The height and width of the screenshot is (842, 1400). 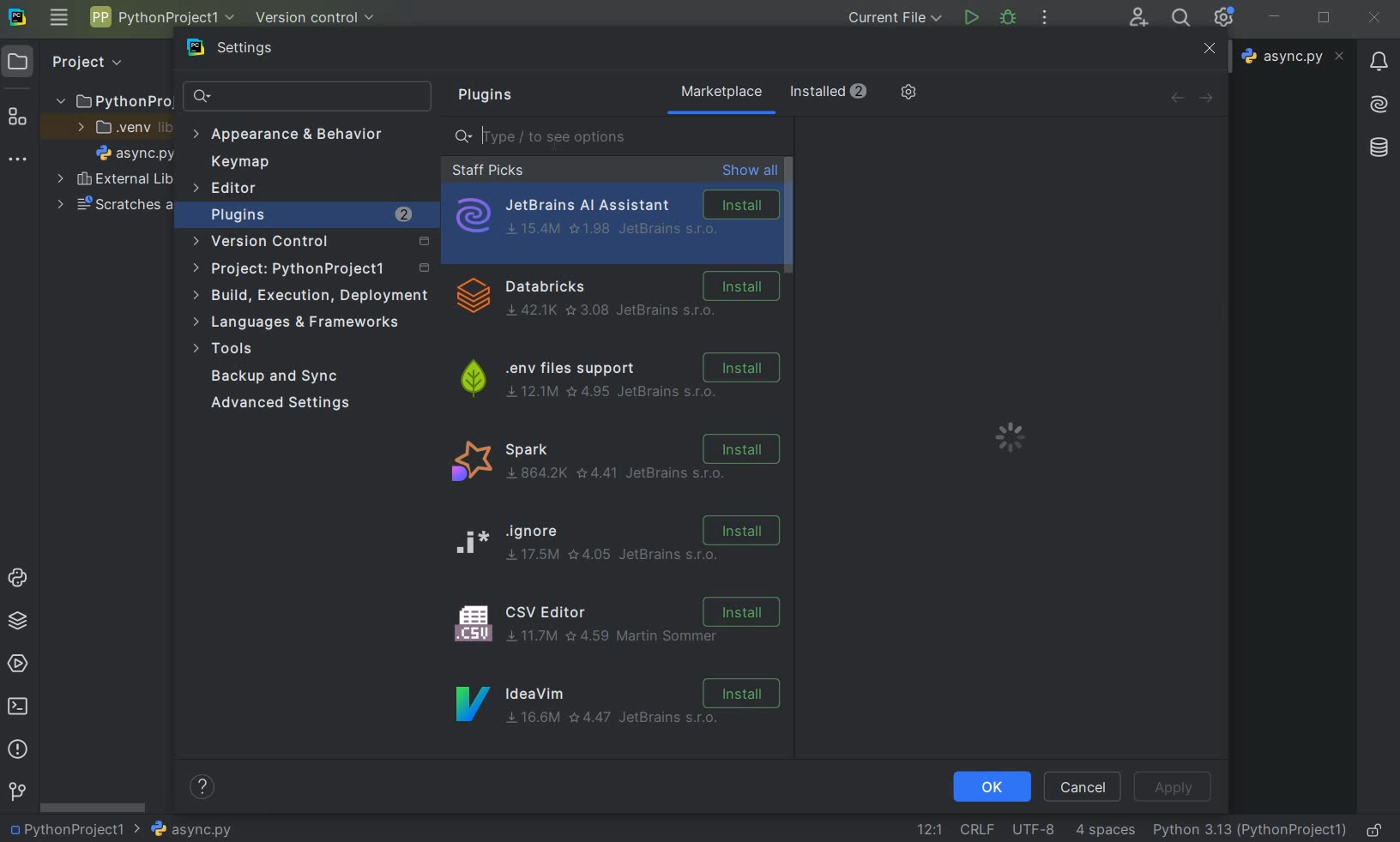 I want to click on scratches and consoles, so click(x=112, y=207).